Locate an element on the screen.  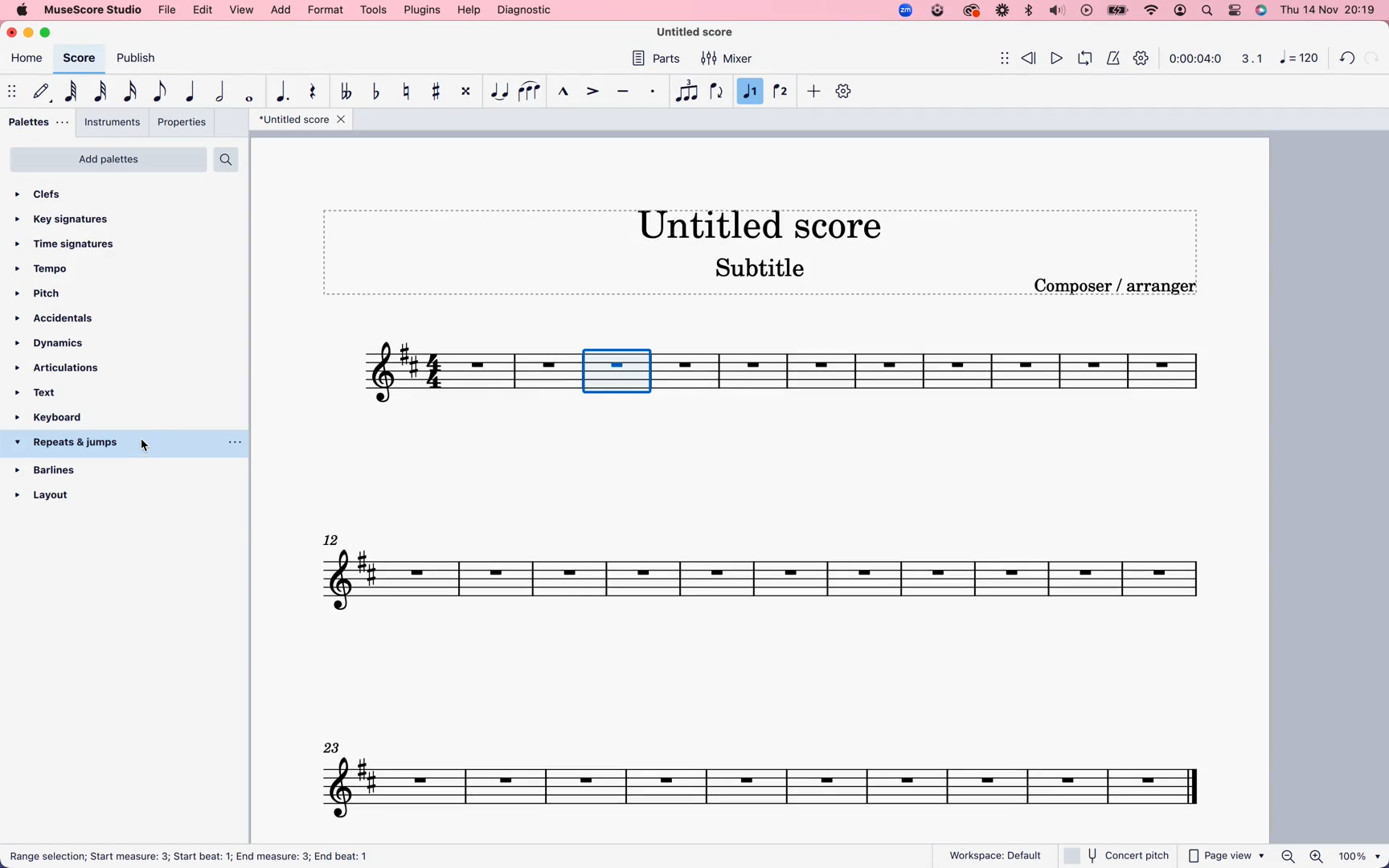
workspace is located at coordinates (996, 852).